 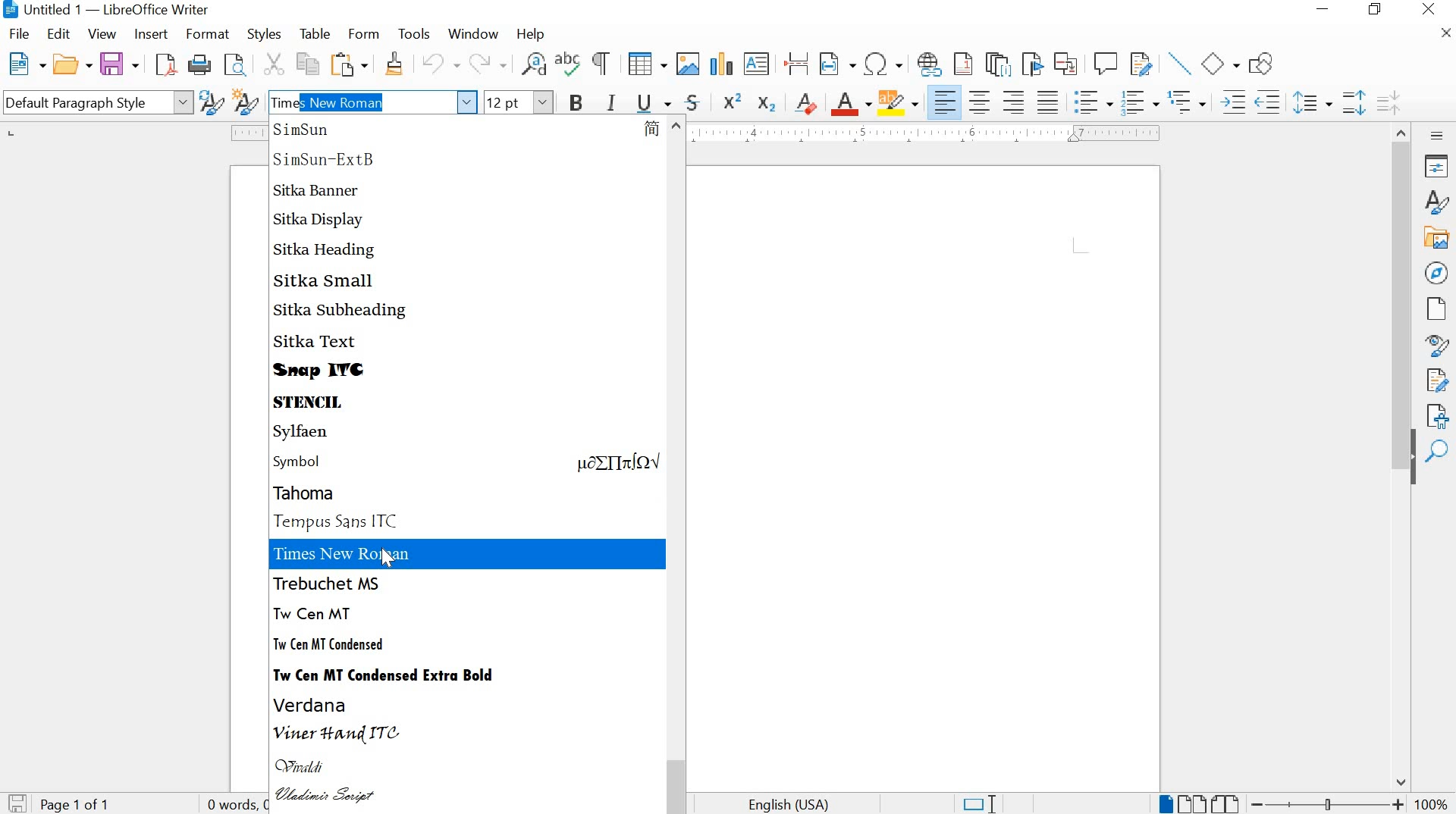 I want to click on MANAGE CHANGES, so click(x=1439, y=379).